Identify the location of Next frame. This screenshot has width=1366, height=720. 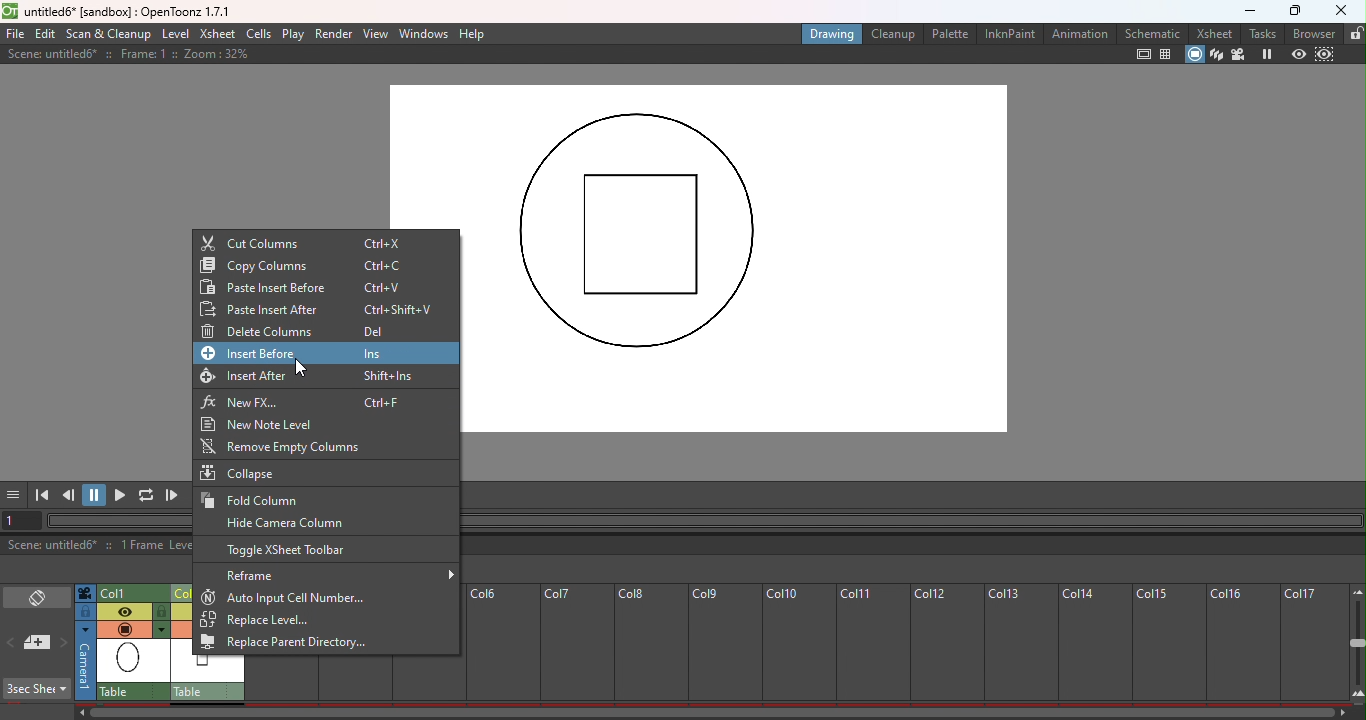
(172, 496).